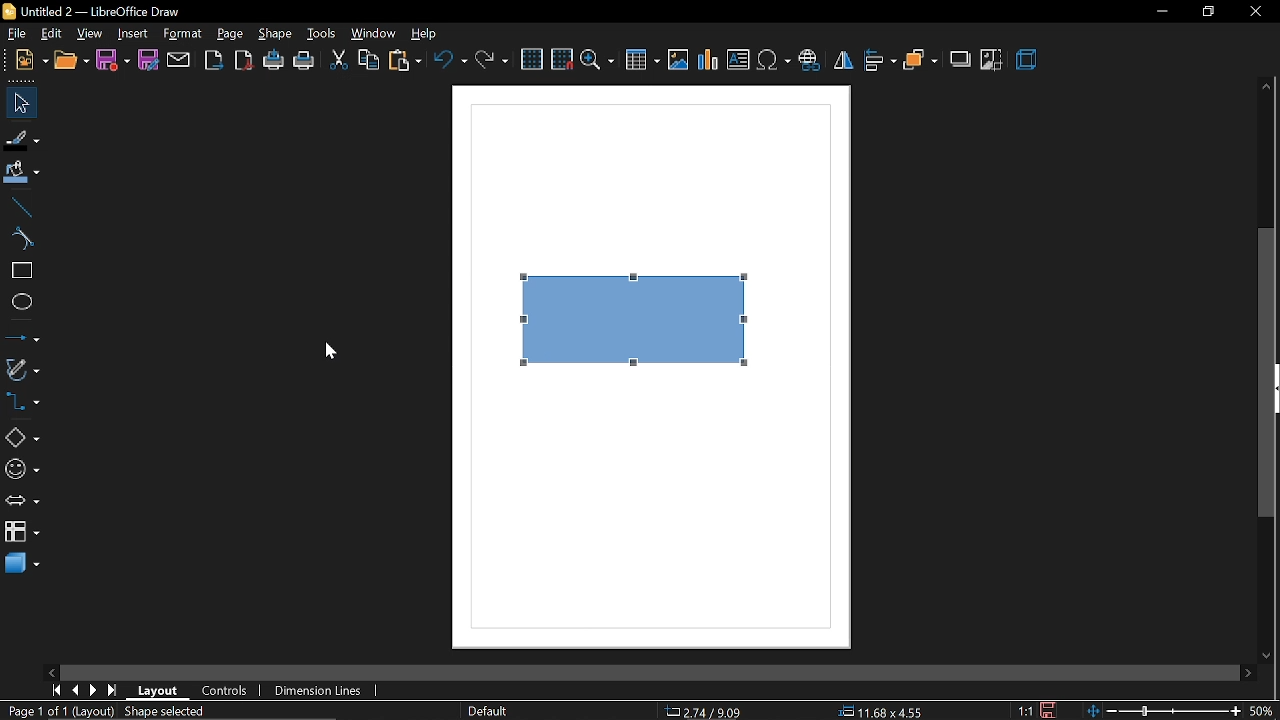  Describe the element at coordinates (182, 33) in the screenshot. I see `format` at that location.